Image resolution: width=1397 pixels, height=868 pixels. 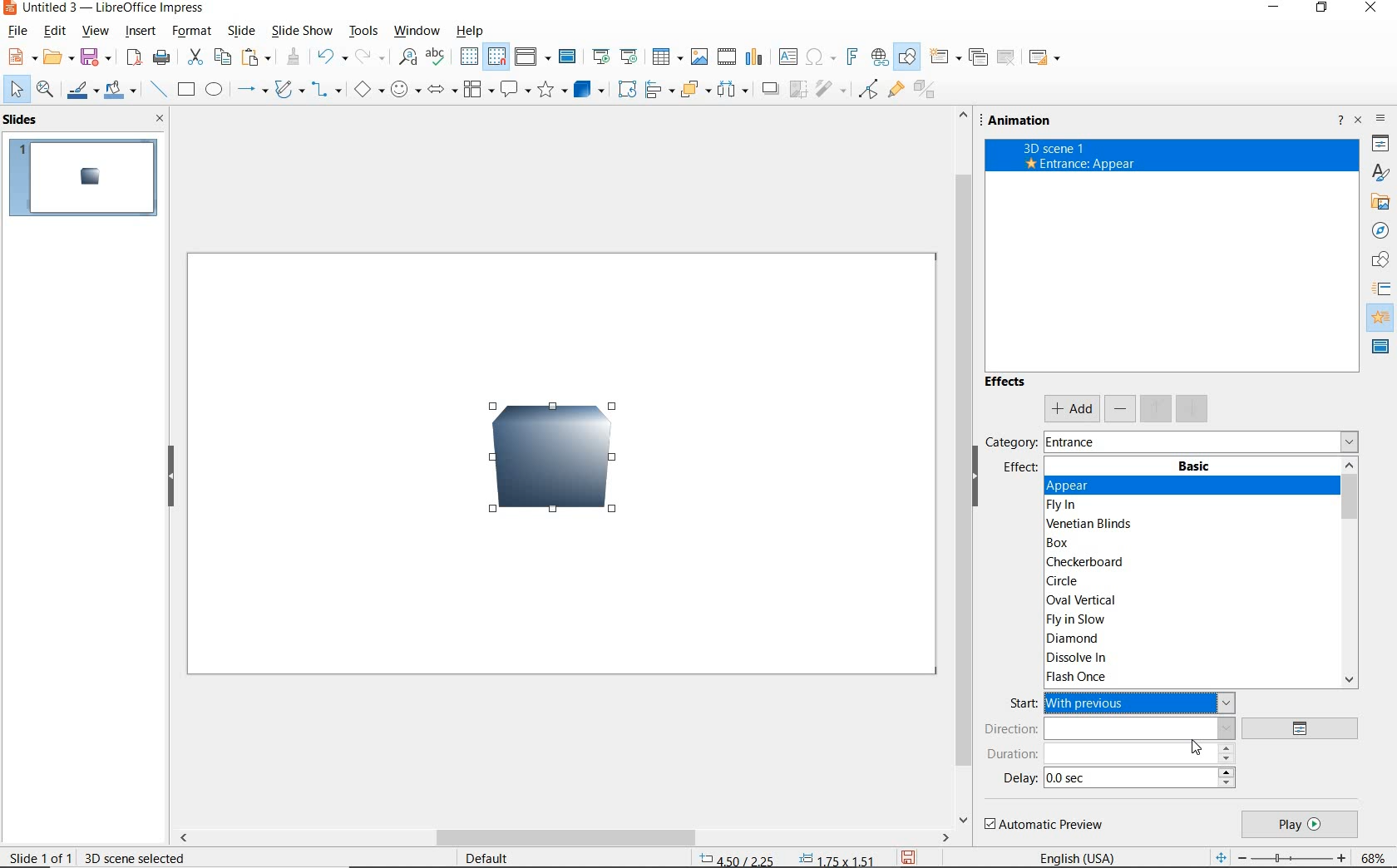 I want to click on align objects, so click(x=659, y=89).